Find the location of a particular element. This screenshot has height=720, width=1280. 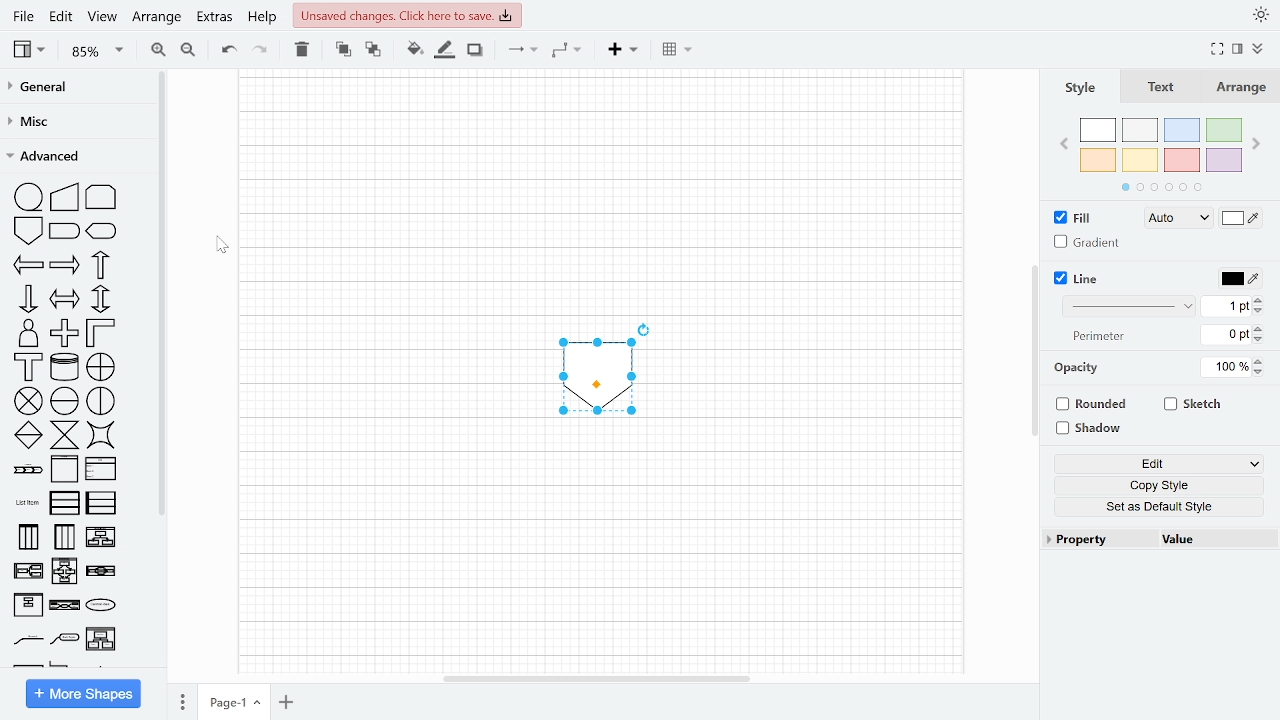

Next is located at coordinates (1257, 144).